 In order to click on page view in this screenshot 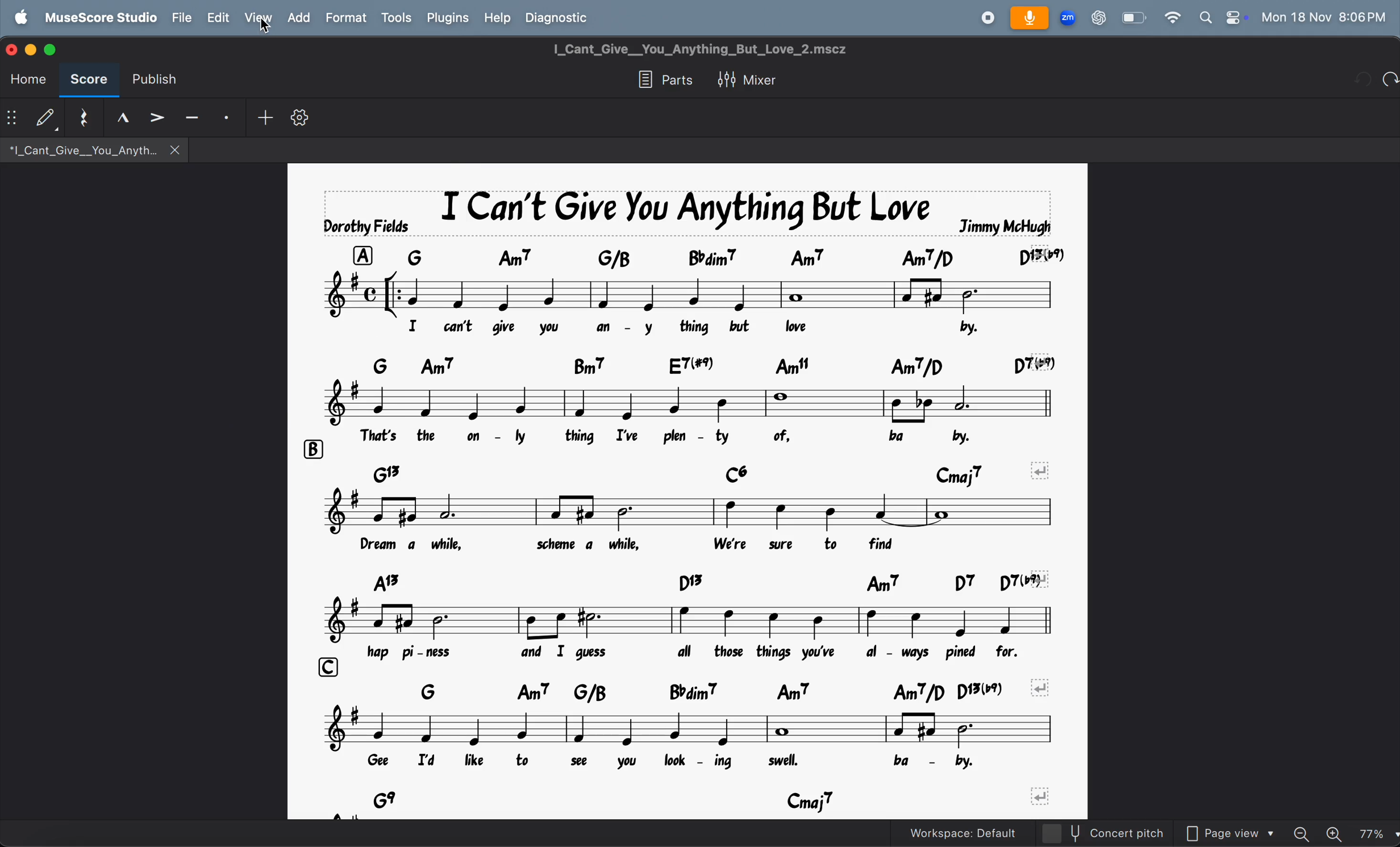, I will do `click(1226, 834)`.